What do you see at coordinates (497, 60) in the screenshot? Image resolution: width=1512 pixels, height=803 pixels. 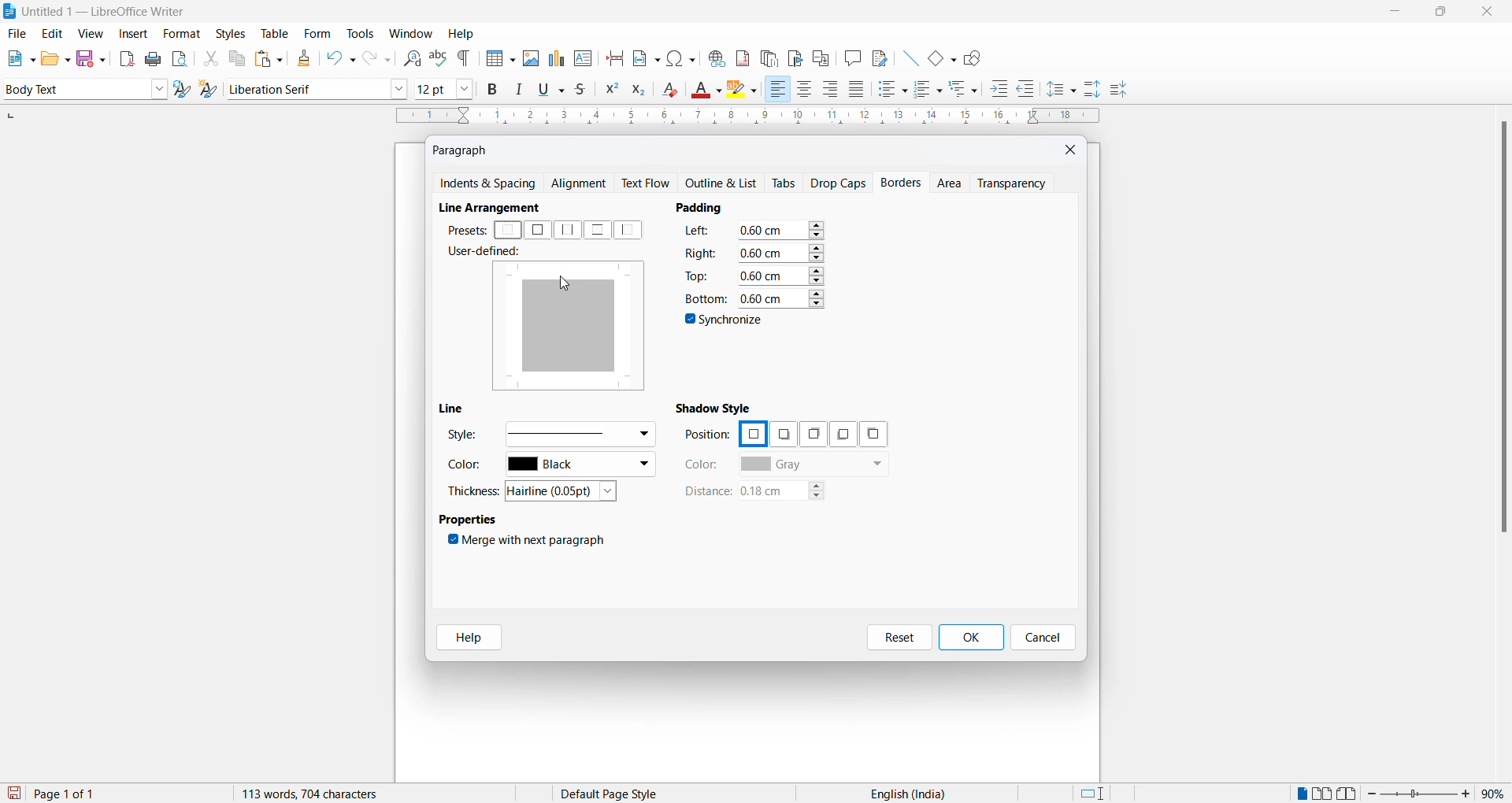 I see `insert image` at bounding box center [497, 60].